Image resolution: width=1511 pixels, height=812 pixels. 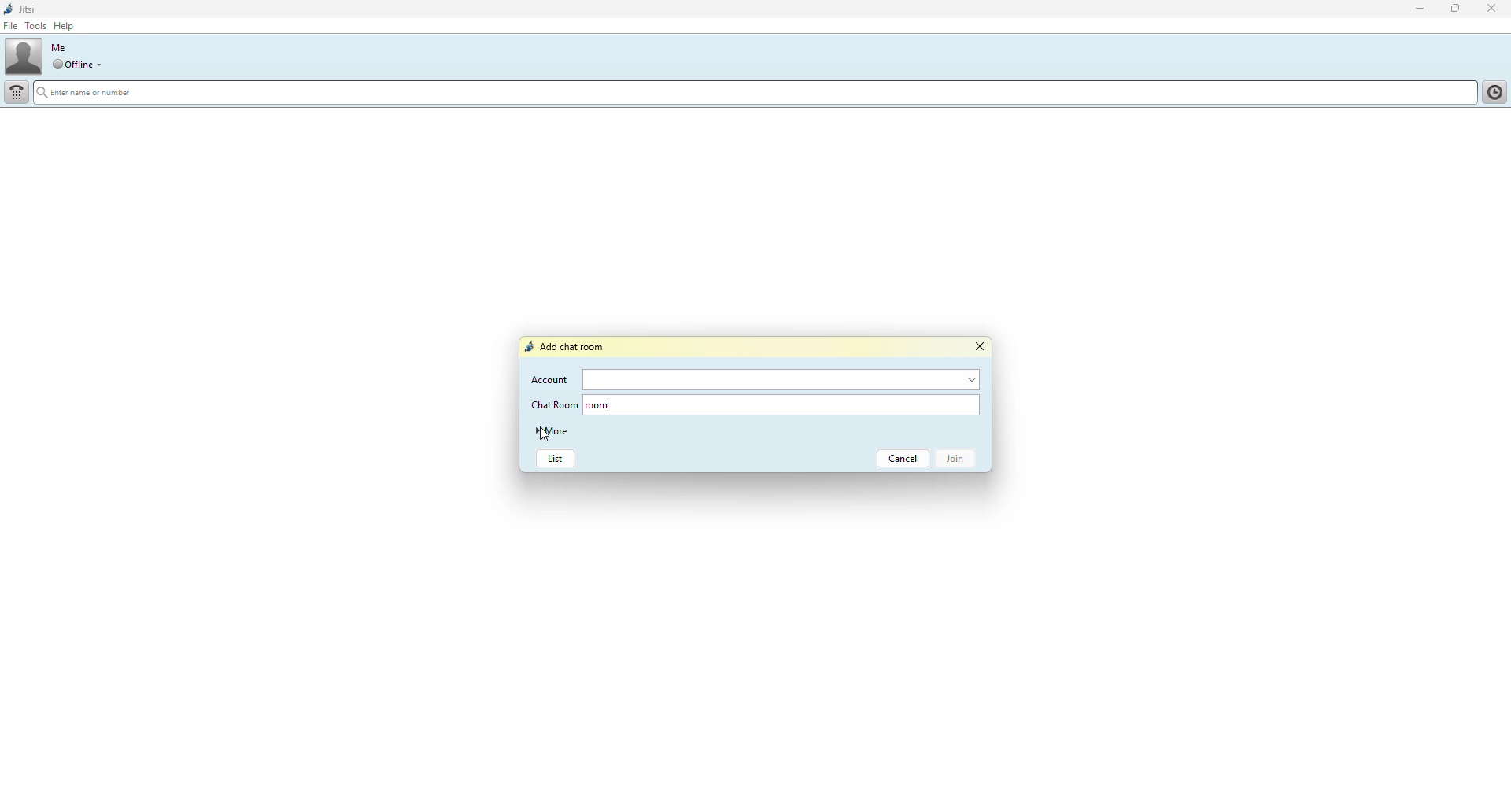 I want to click on typing cursor, so click(x=609, y=408).